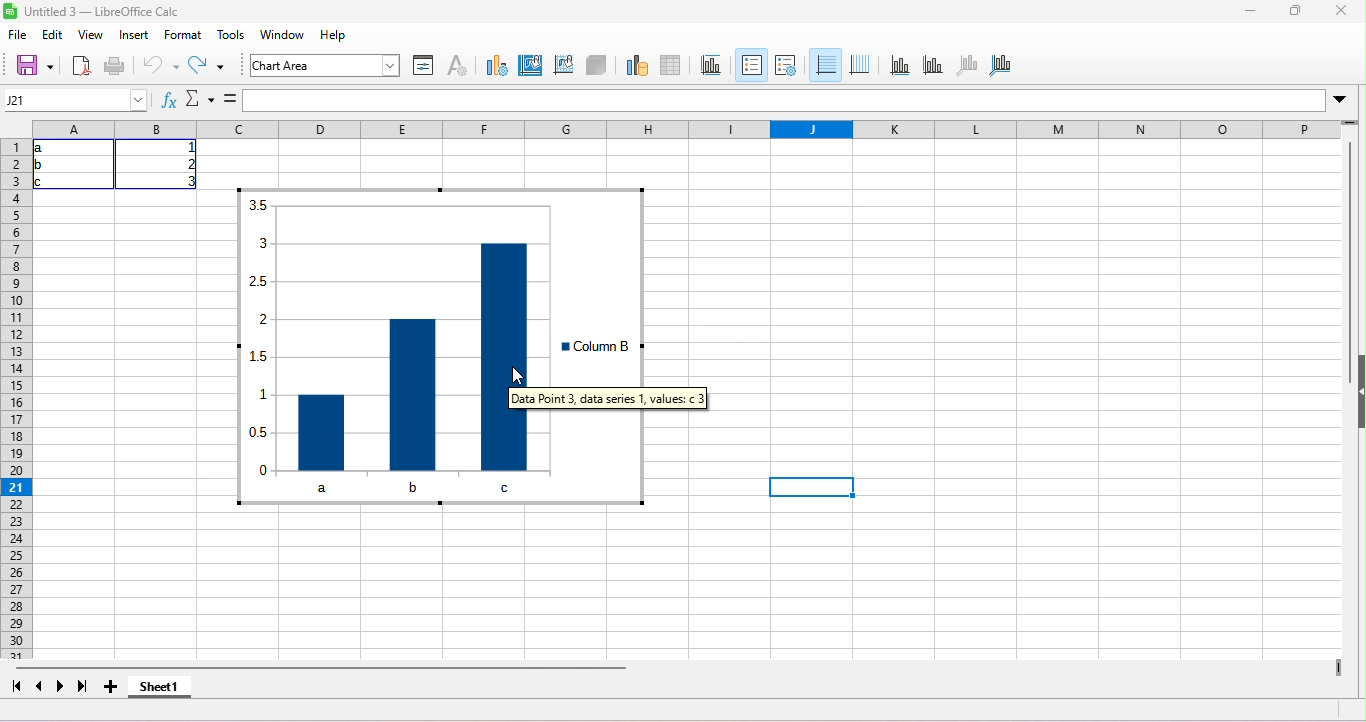 This screenshot has width=1366, height=722. Describe the element at coordinates (940, 65) in the screenshot. I see `y axis` at that location.